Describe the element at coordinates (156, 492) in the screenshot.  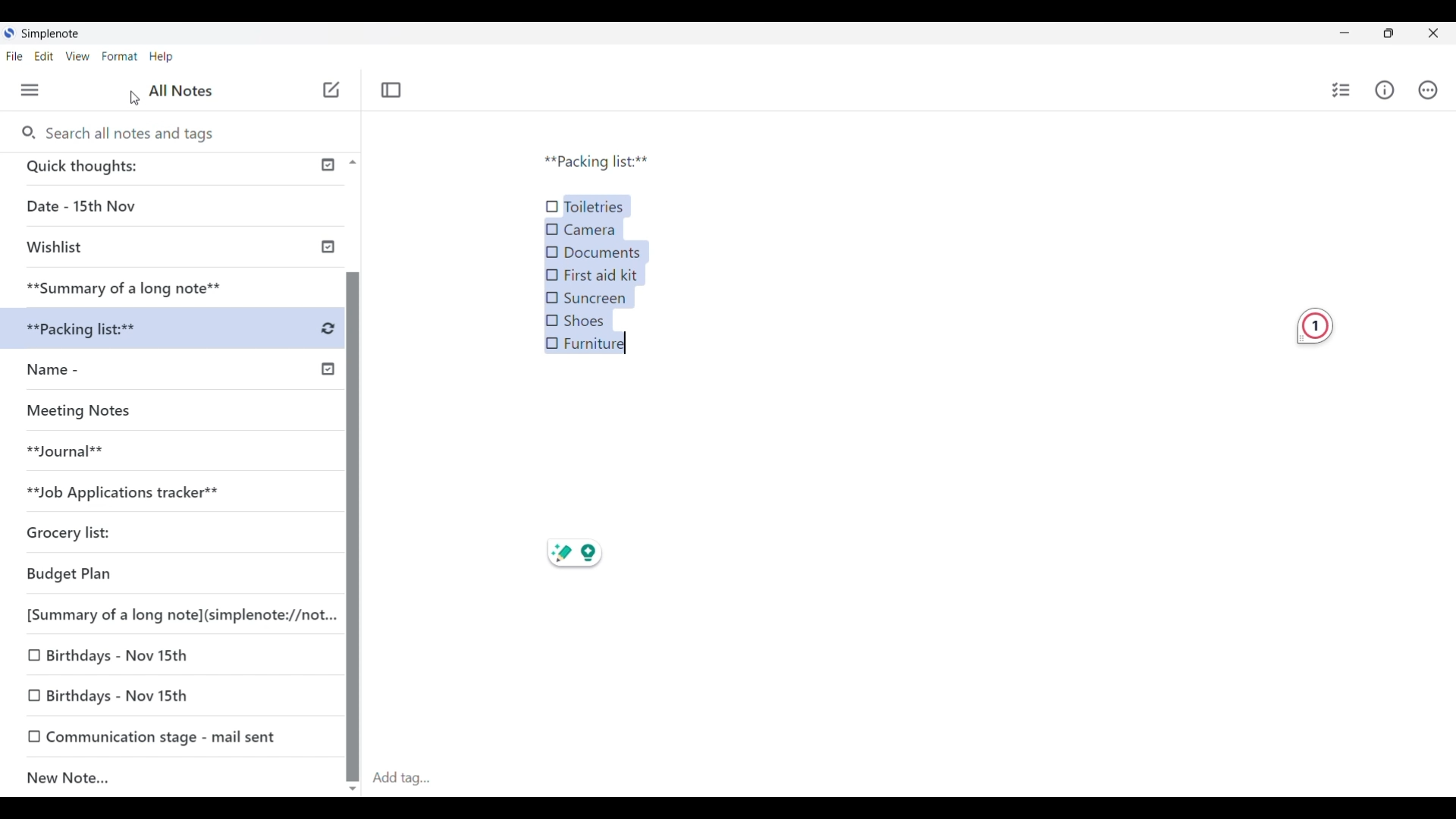
I see `**Job Applications tracker**` at that location.